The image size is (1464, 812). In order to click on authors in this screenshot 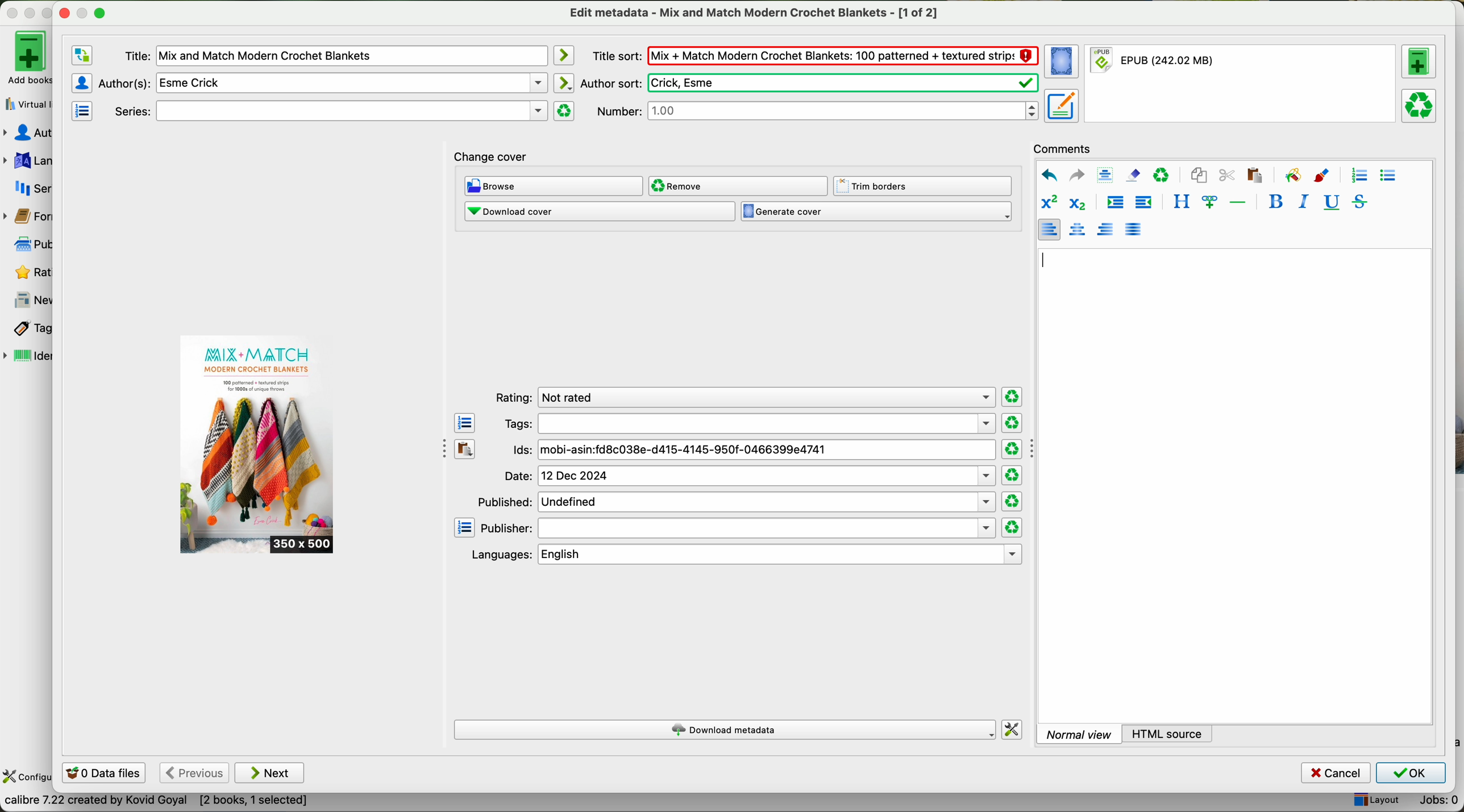, I will do `click(27, 133)`.